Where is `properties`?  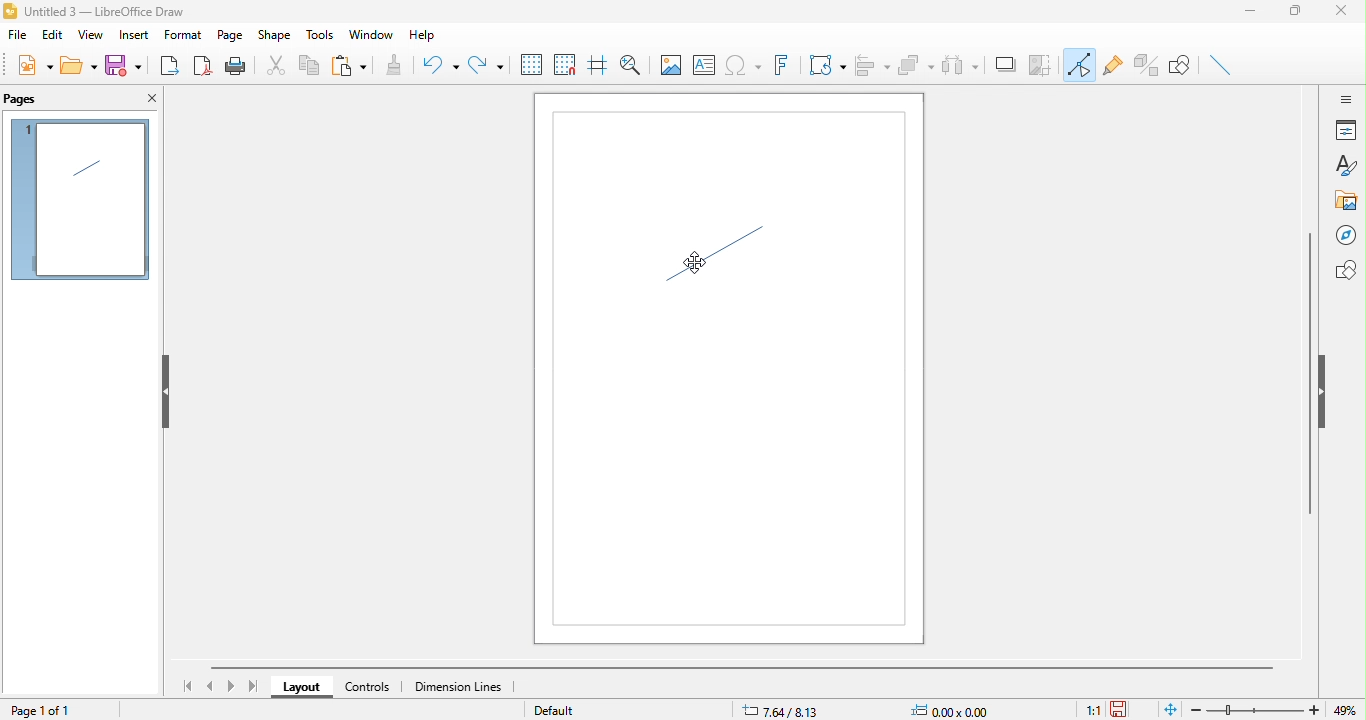
properties is located at coordinates (1346, 130).